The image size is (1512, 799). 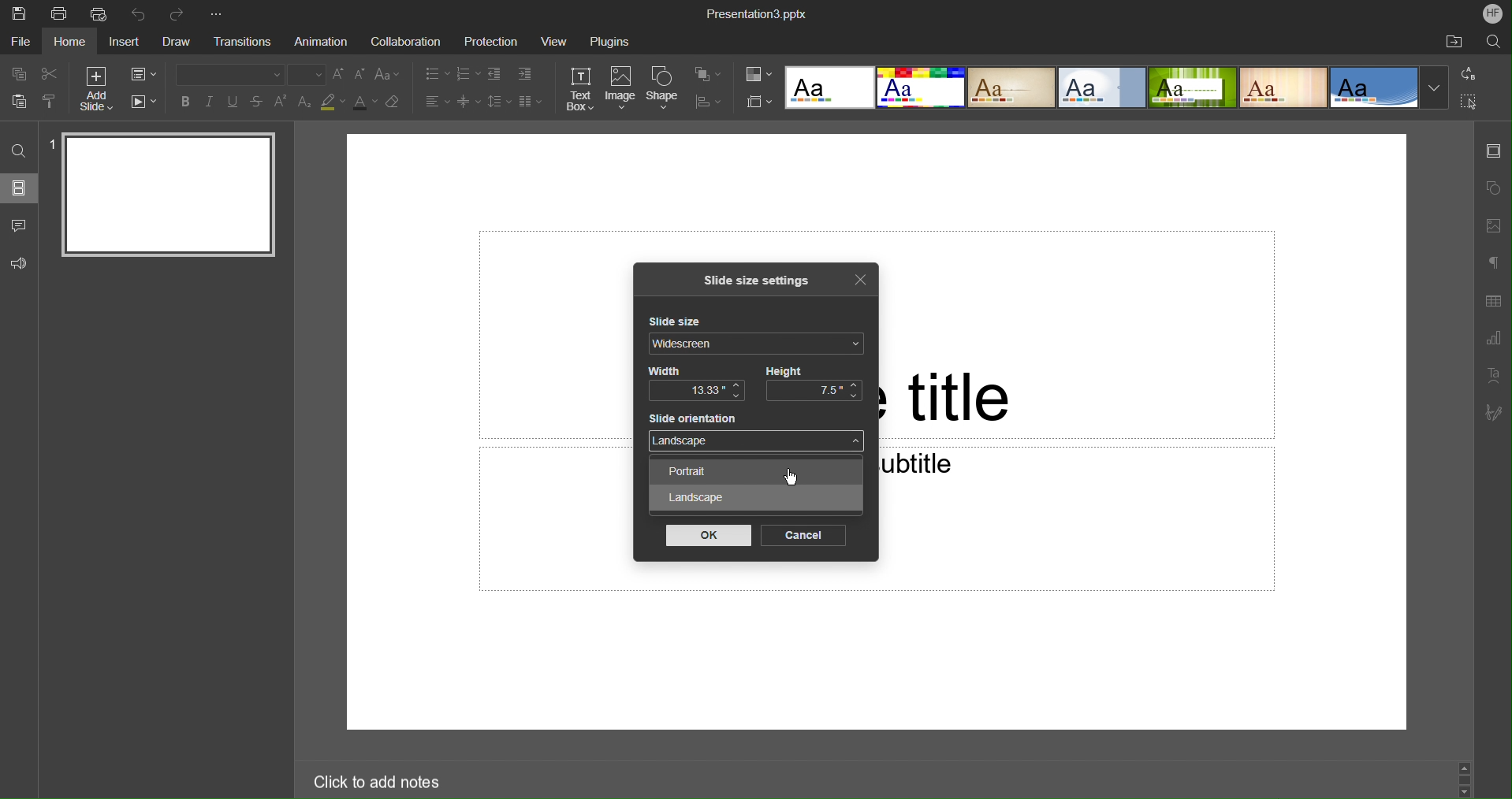 I want to click on Decrease size, so click(x=361, y=76).